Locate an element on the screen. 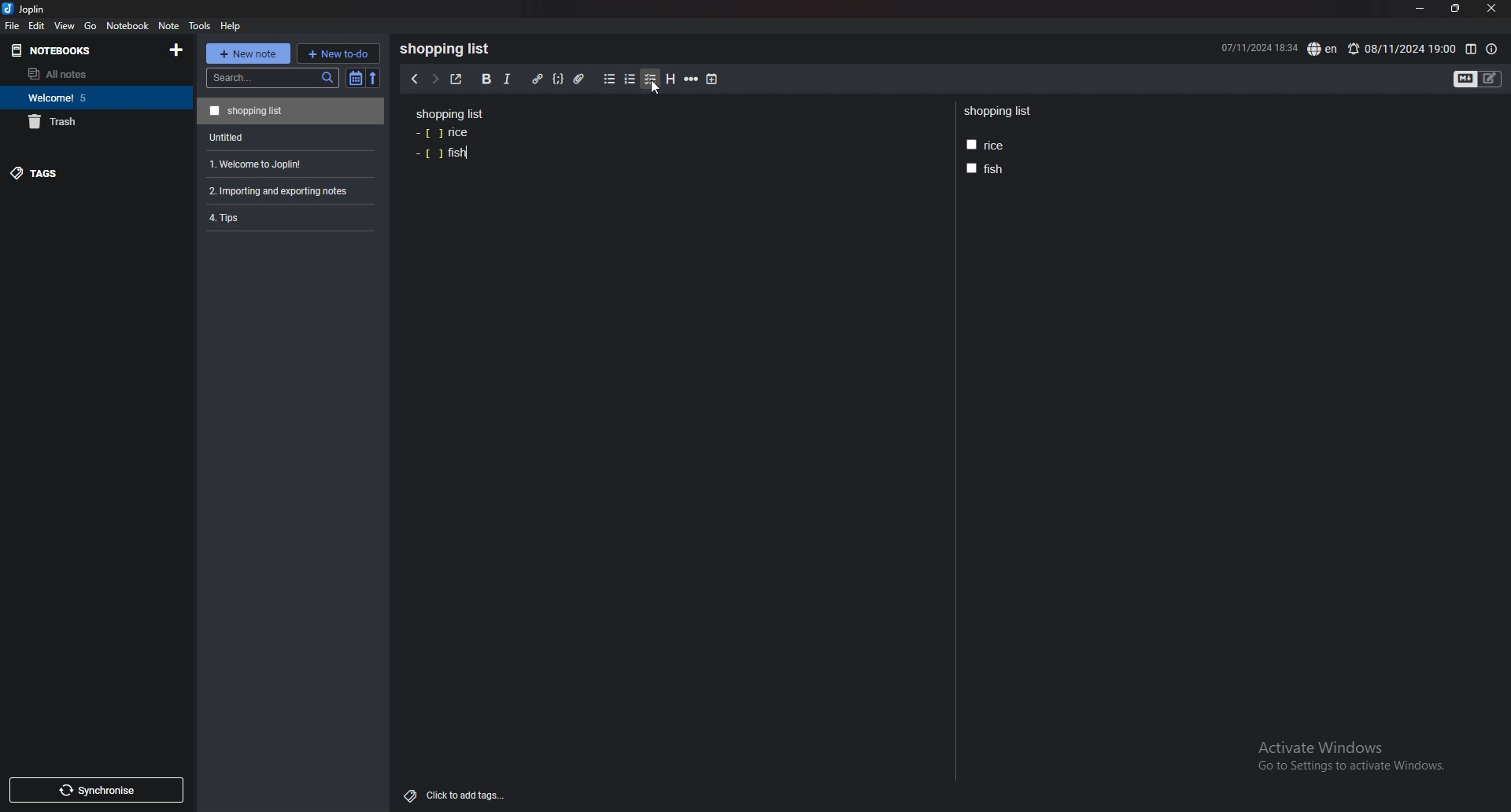 This screenshot has width=1511, height=812. previous is located at coordinates (413, 79).